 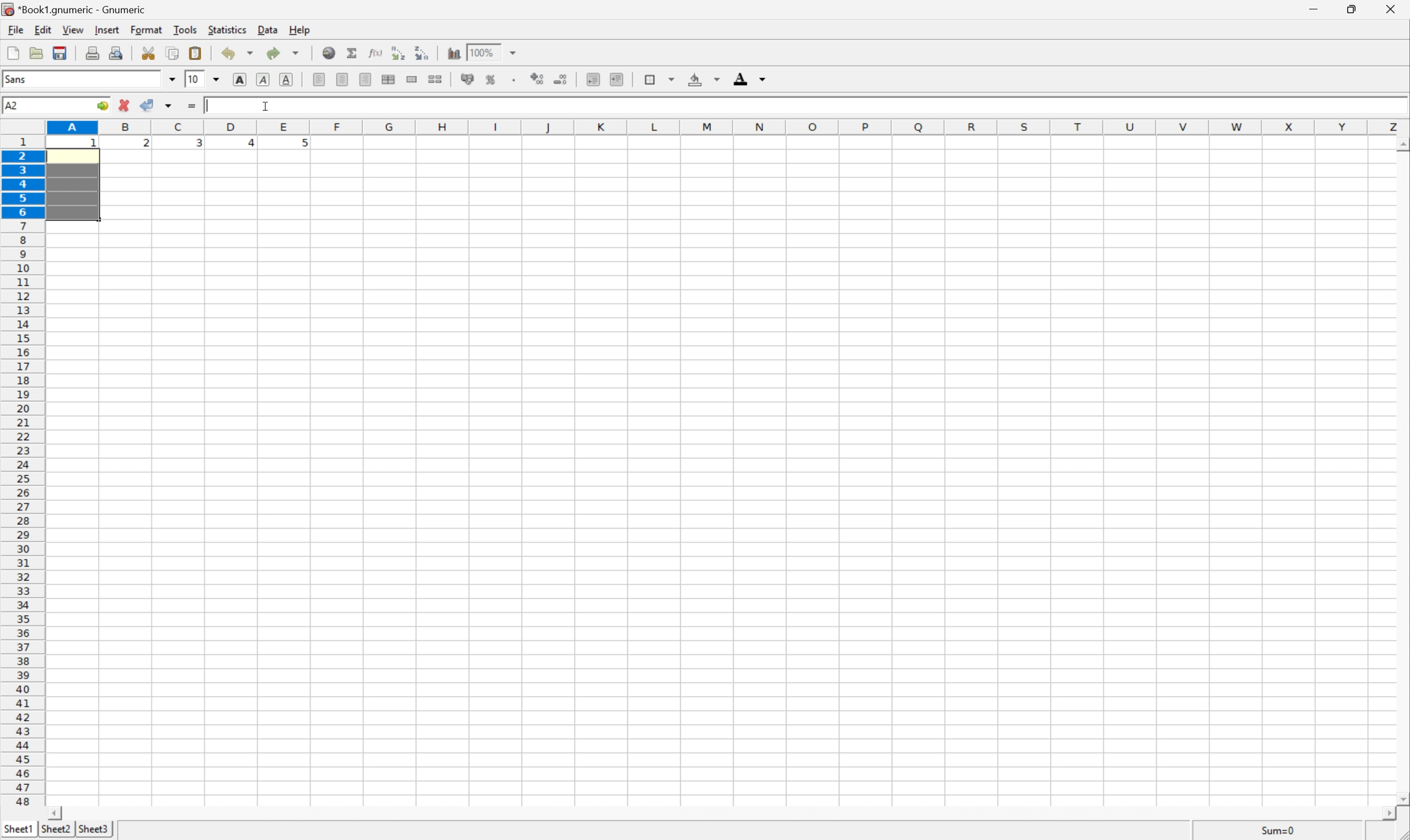 What do you see at coordinates (1269, 830) in the screenshot?
I see `sum=0` at bounding box center [1269, 830].